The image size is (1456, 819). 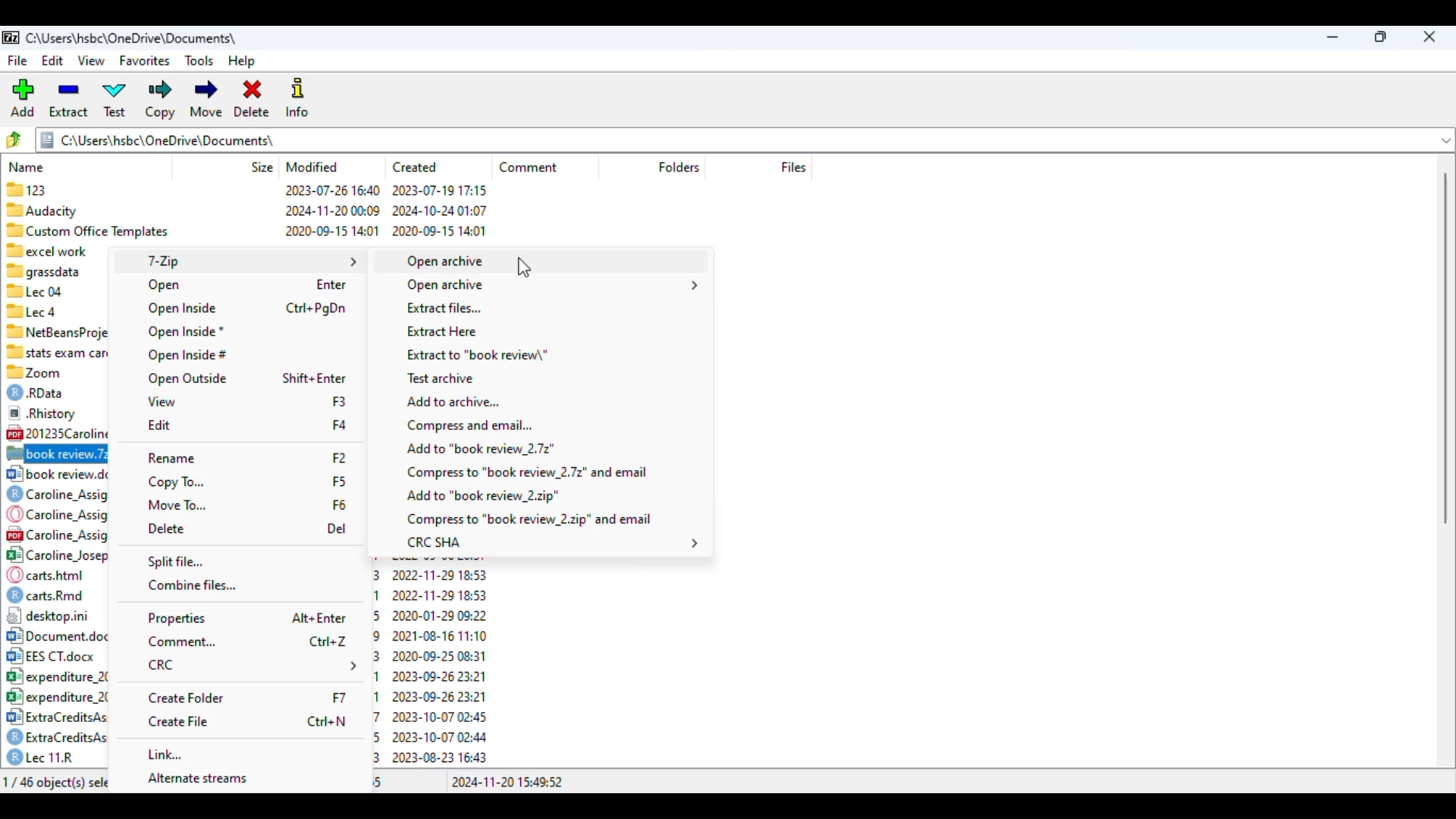 What do you see at coordinates (17, 60) in the screenshot?
I see `file` at bounding box center [17, 60].